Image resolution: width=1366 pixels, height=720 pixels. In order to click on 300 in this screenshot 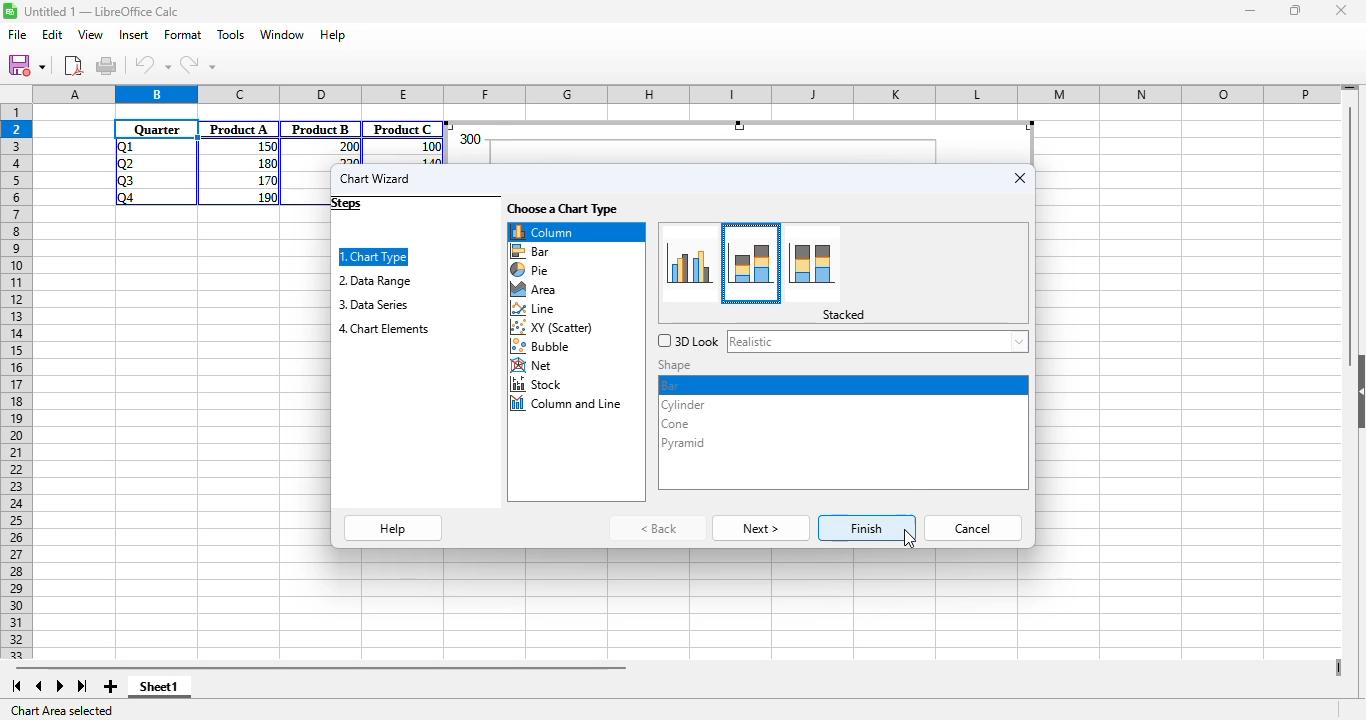, I will do `click(469, 139)`.